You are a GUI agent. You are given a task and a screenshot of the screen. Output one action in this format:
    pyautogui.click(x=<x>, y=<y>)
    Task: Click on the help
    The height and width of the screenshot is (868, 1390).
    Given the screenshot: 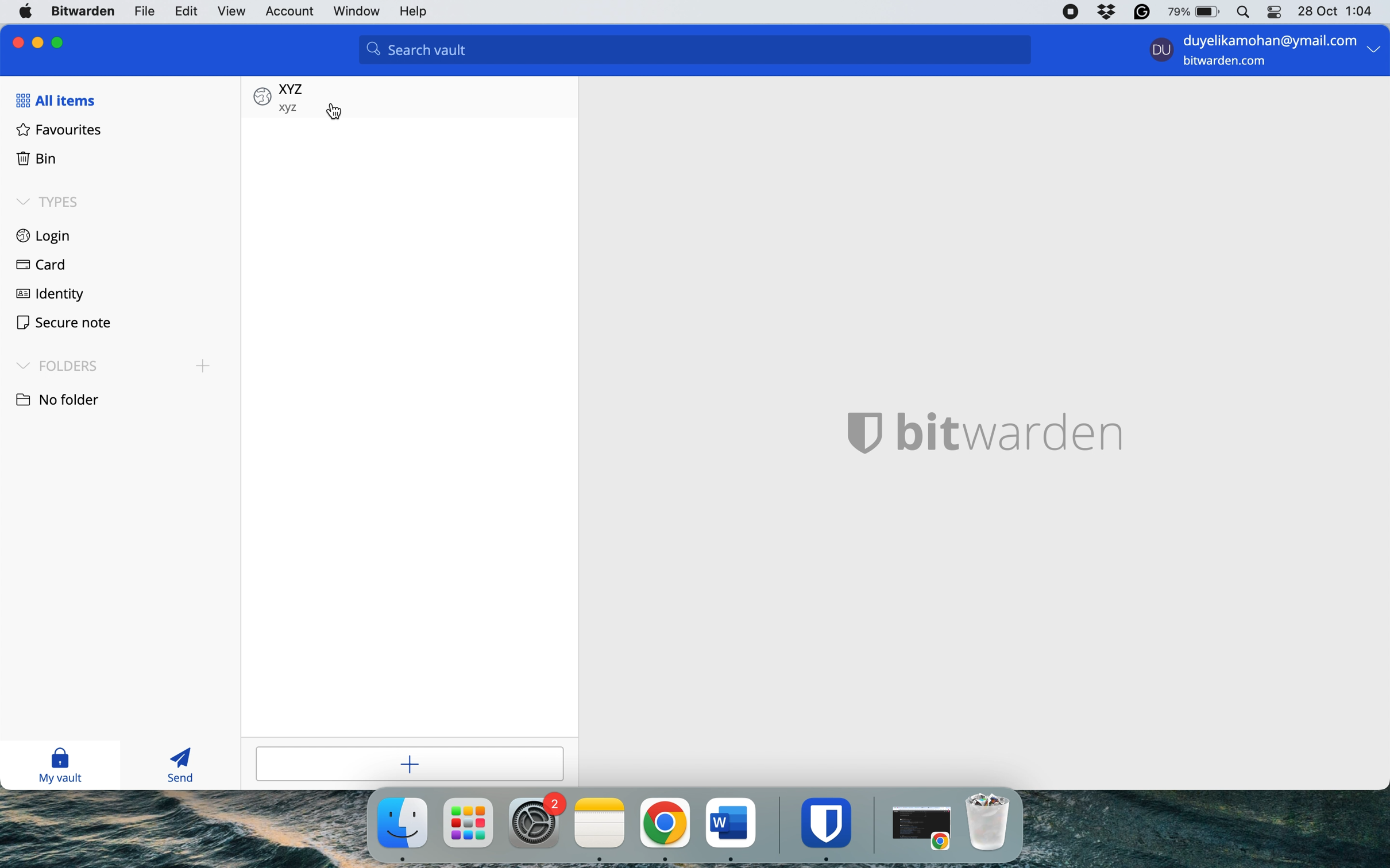 What is the action you would take?
    pyautogui.click(x=419, y=13)
    